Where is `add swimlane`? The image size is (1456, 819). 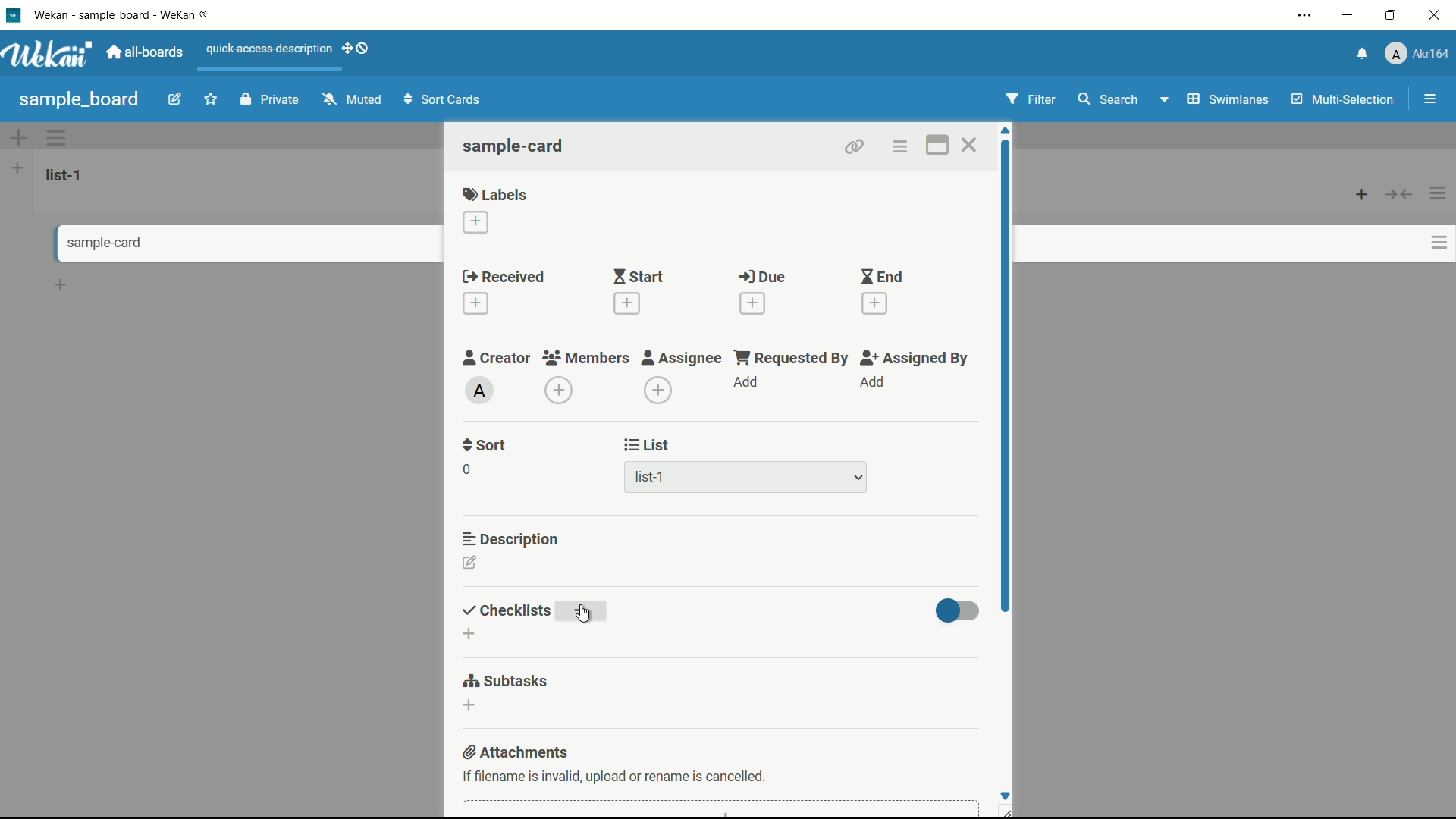
add swimlane is located at coordinates (17, 137).